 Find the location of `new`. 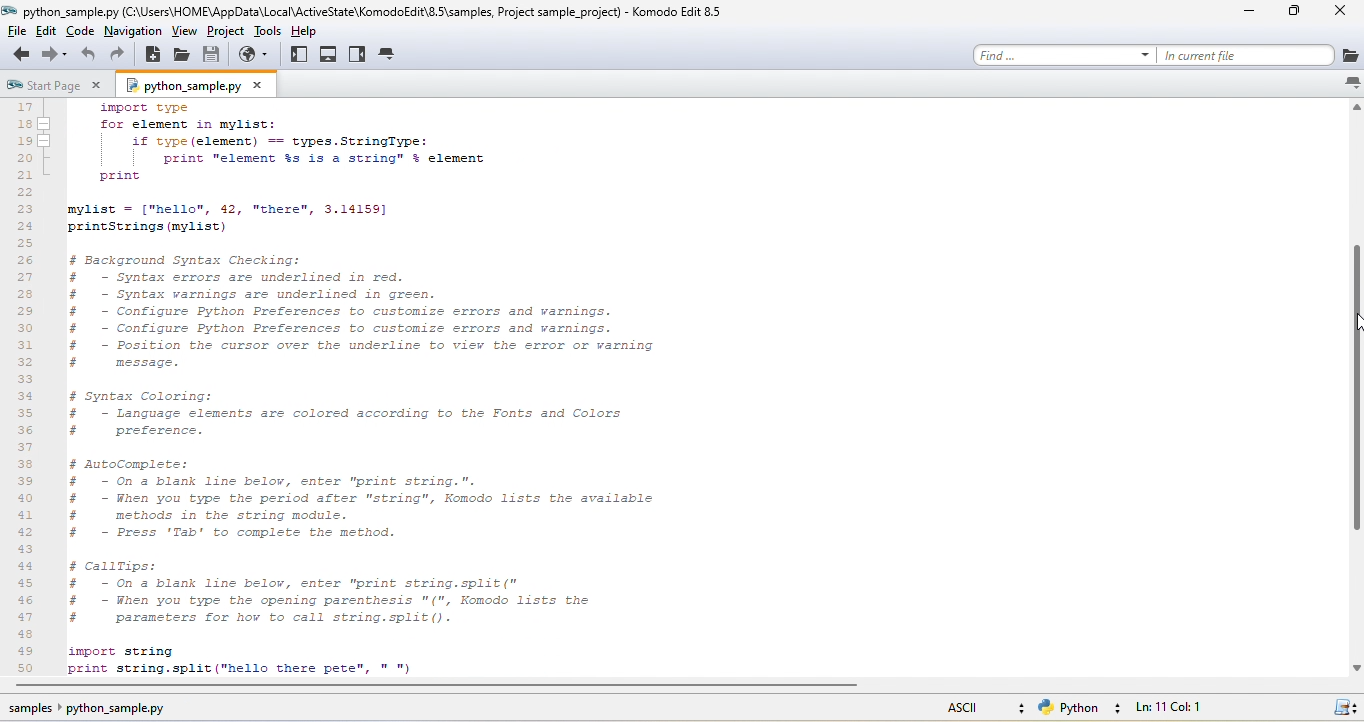

new is located at coordinates (153, 55).